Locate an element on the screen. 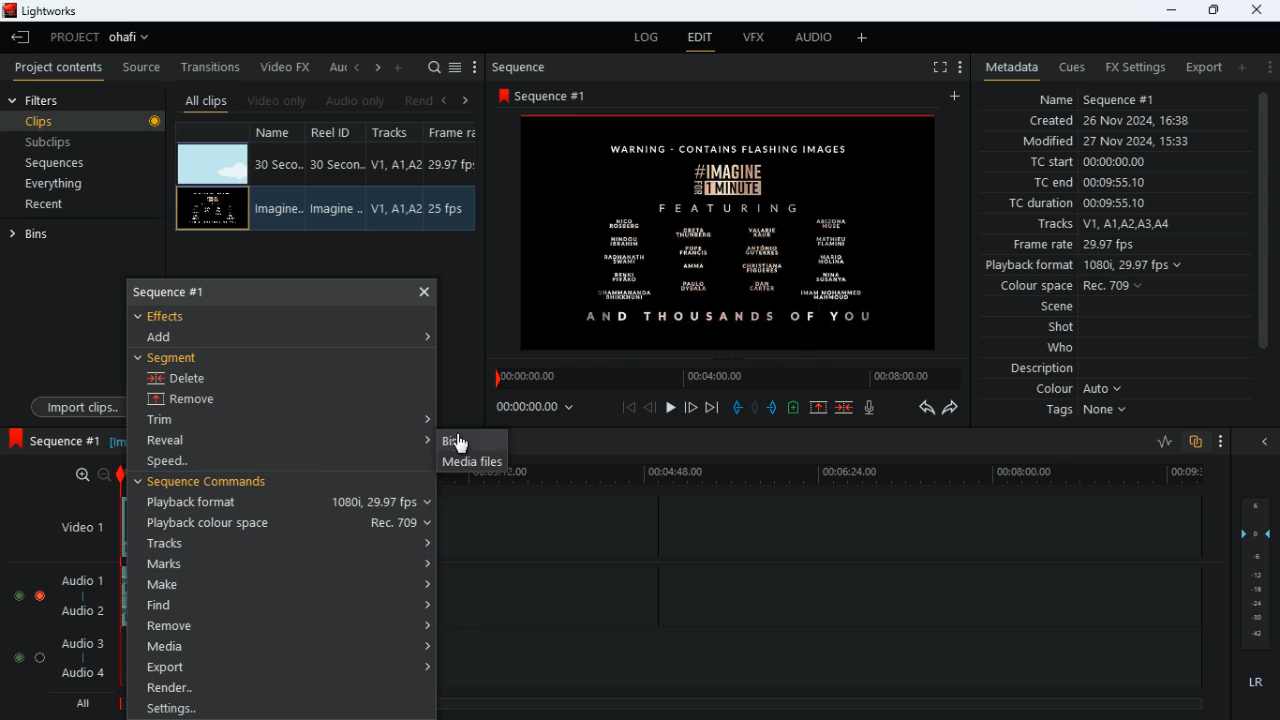  Track is located at coordinates (396, 208).